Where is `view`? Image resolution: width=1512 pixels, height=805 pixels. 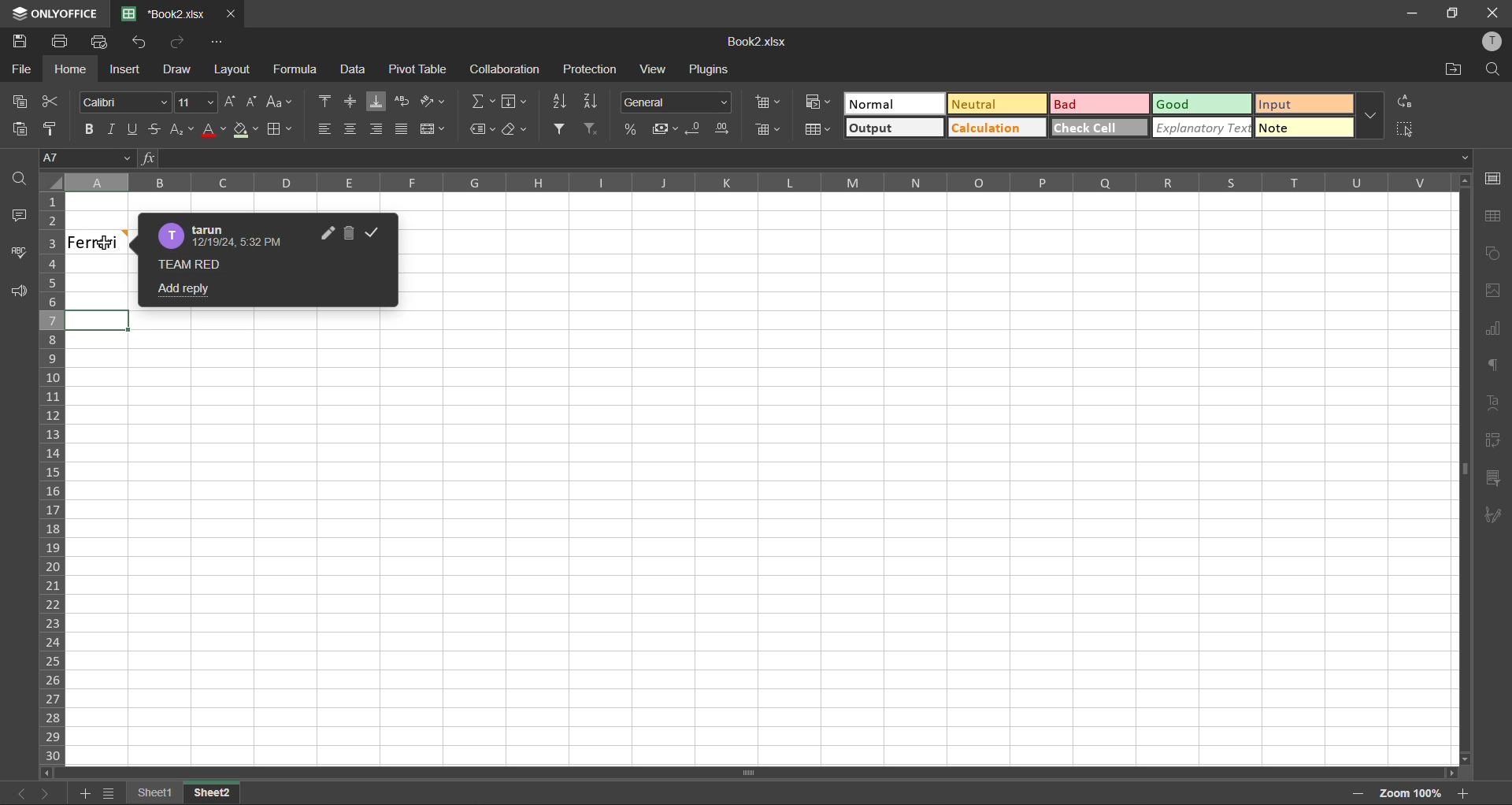 view is located at coordinates (656, 69).